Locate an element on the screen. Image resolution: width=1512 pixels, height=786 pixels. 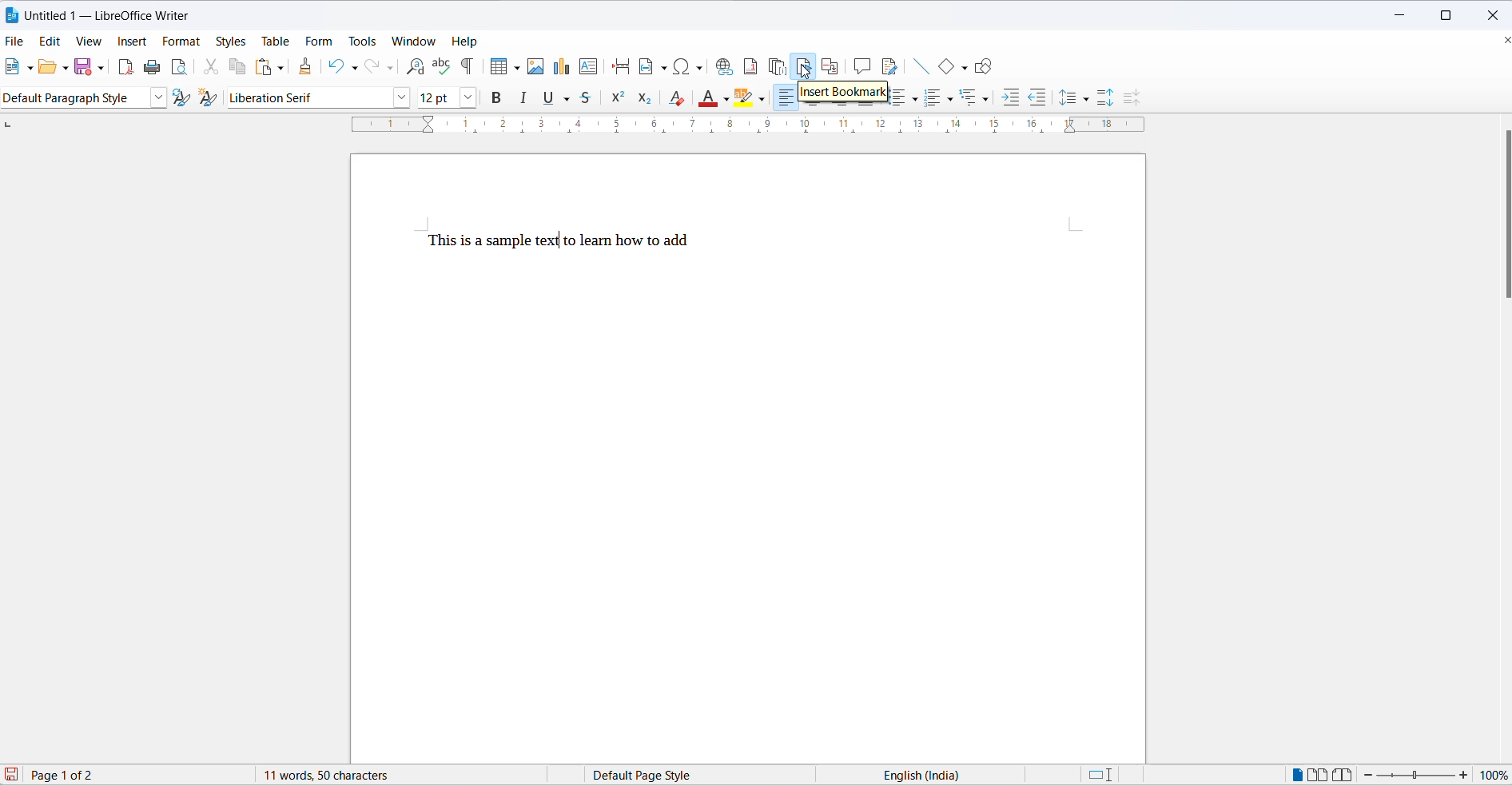
insert hyperlink is located at coordinates (726, 67).